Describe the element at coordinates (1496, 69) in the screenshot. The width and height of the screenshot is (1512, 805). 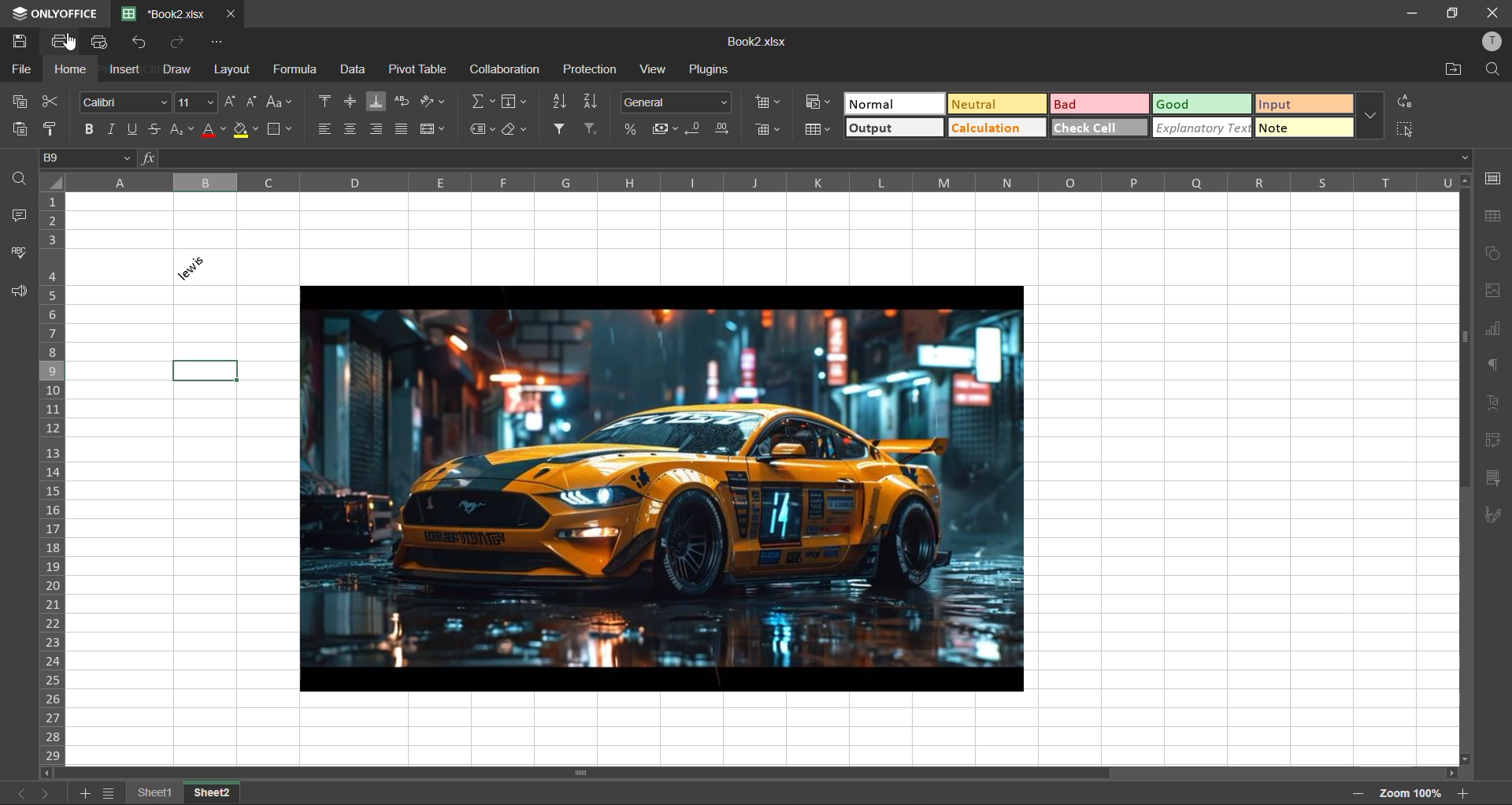
I see `find` at that location.